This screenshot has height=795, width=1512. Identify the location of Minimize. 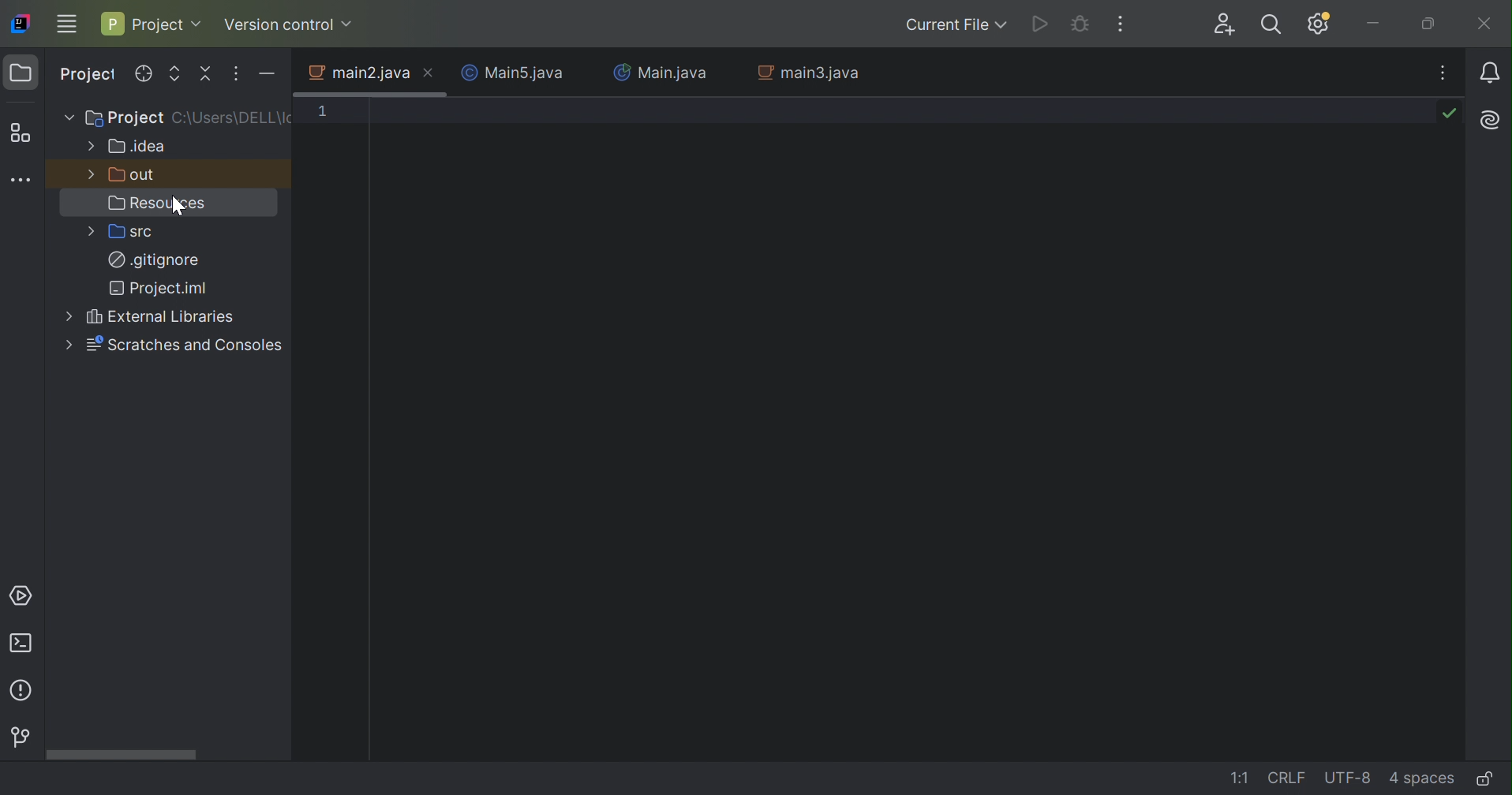
(1381, 24).